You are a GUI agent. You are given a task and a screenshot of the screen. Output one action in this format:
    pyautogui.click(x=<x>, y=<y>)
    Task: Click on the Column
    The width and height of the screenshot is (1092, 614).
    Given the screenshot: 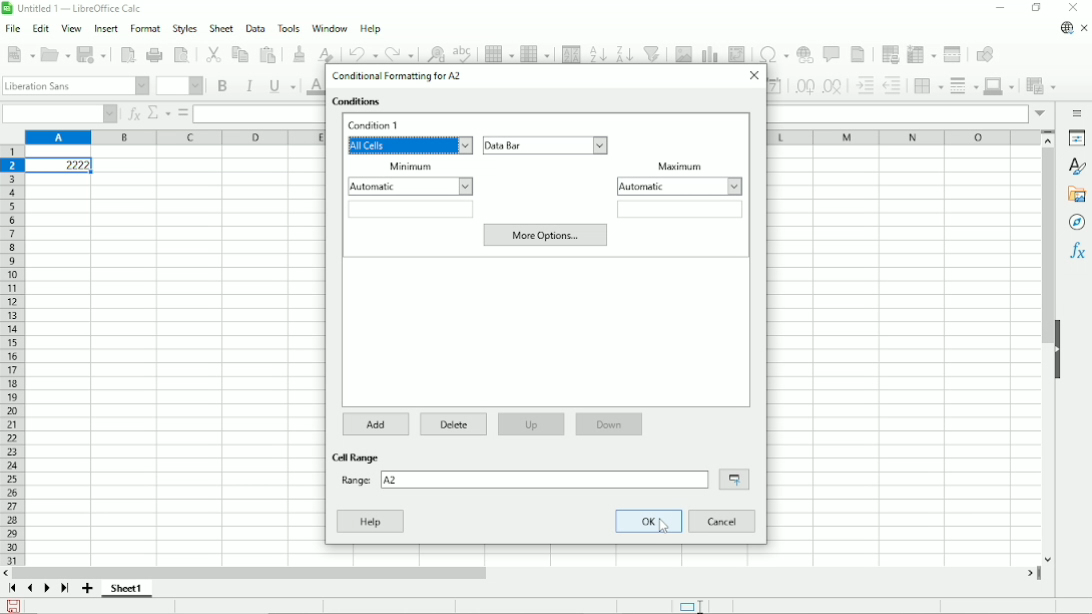 What is the action you would take?
    pyautogui.click(x=536, y=54)
    